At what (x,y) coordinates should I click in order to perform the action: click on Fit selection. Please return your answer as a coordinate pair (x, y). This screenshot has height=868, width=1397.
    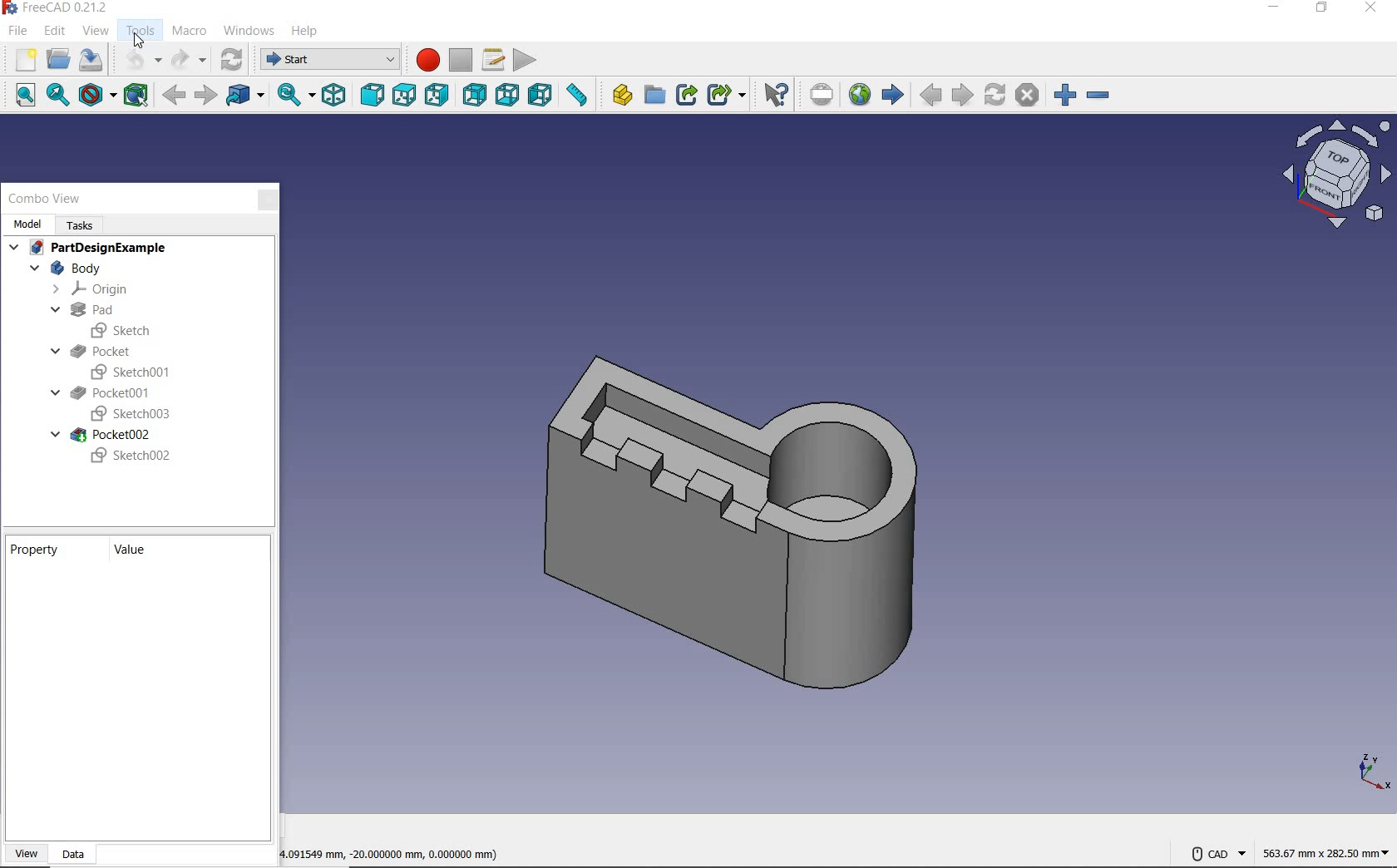
    Looking at the image, I should click on (56, 96).